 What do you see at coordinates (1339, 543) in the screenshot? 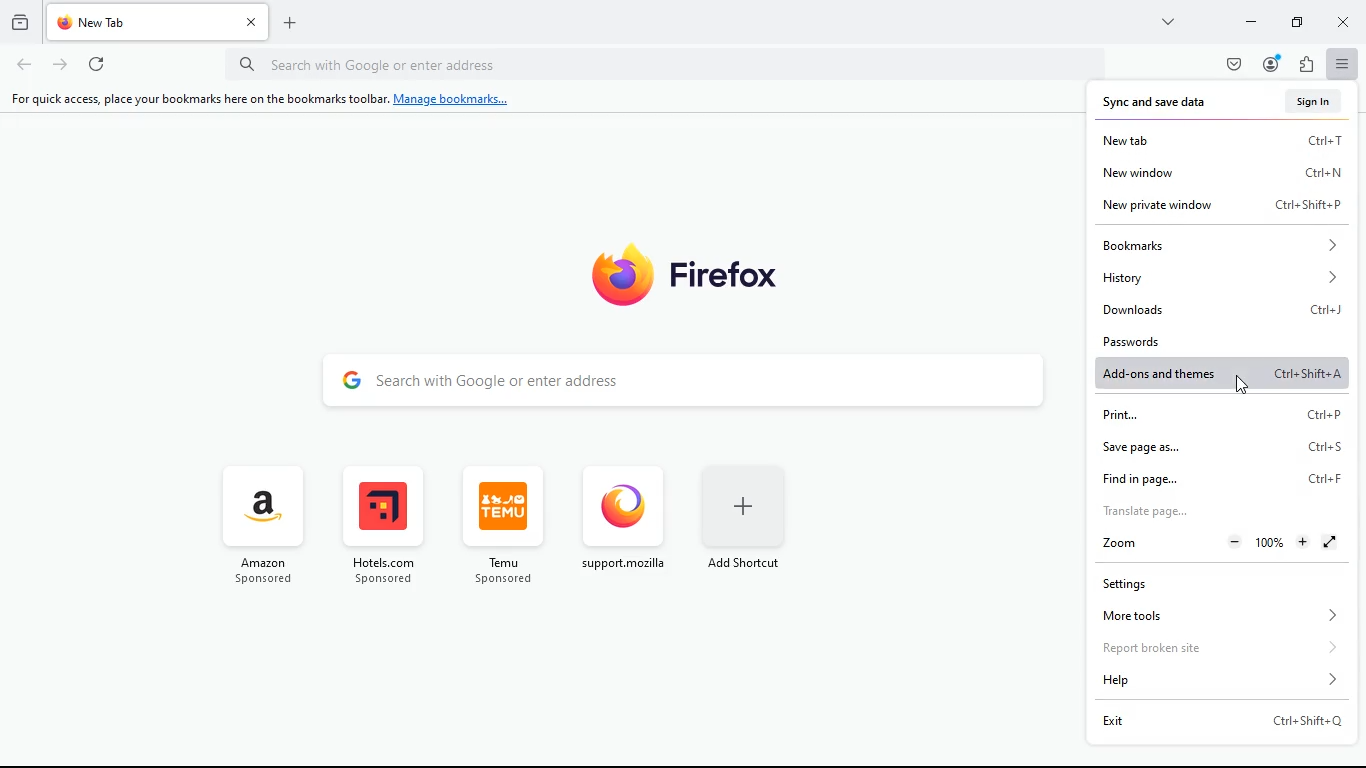
I see `Display in full window` at bounding box center [1339, 543].